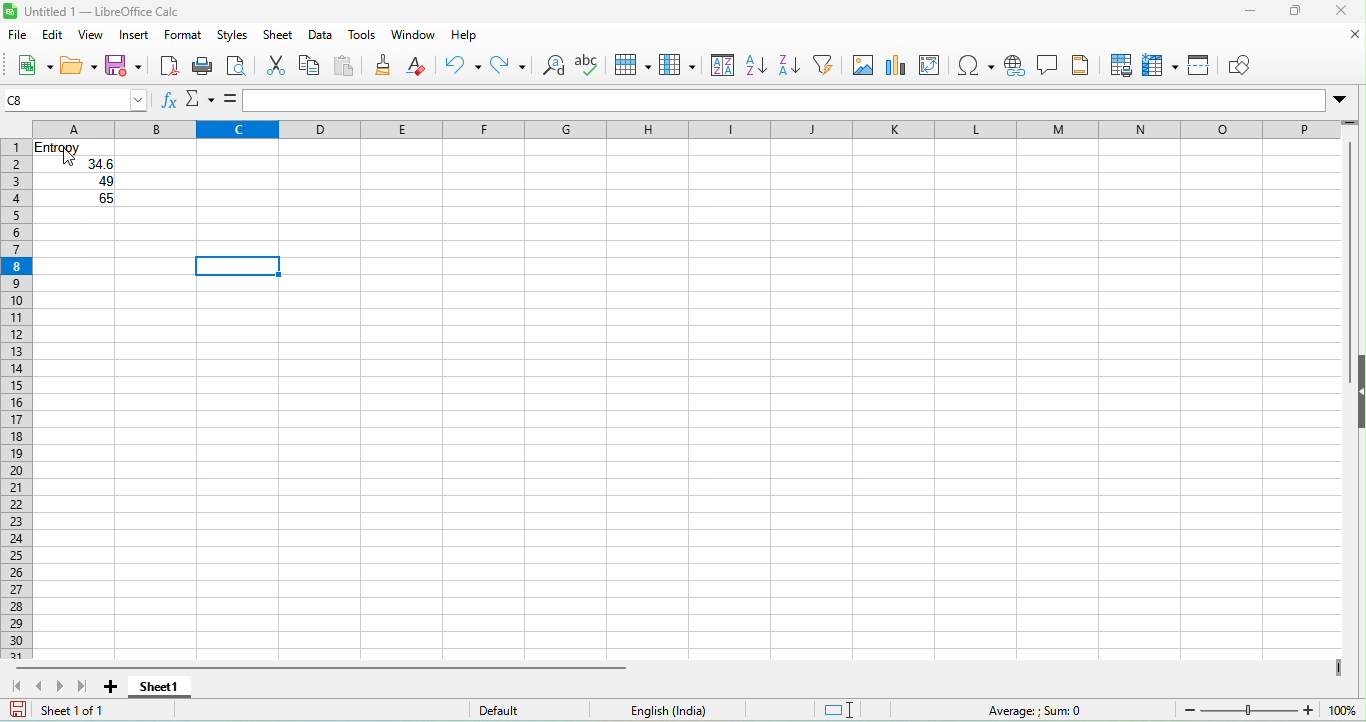 The height and width of the screenshot is (722, 1366). What do you see at coordinates (278, 37) in the screenshot?
I see `sheet` at bounding box center [278, 37].